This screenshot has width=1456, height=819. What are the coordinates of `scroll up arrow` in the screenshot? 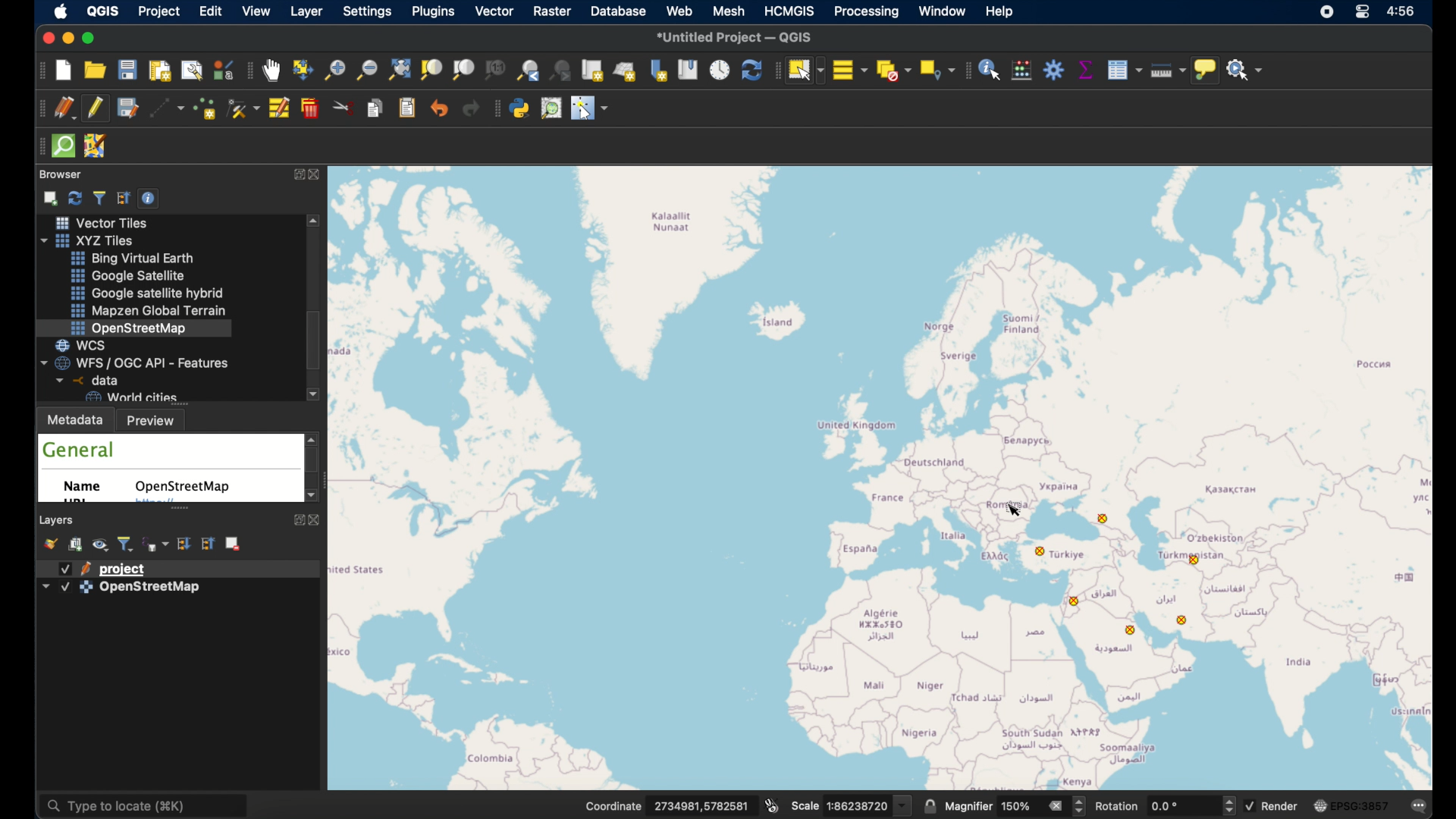 It's located at (313, 437).